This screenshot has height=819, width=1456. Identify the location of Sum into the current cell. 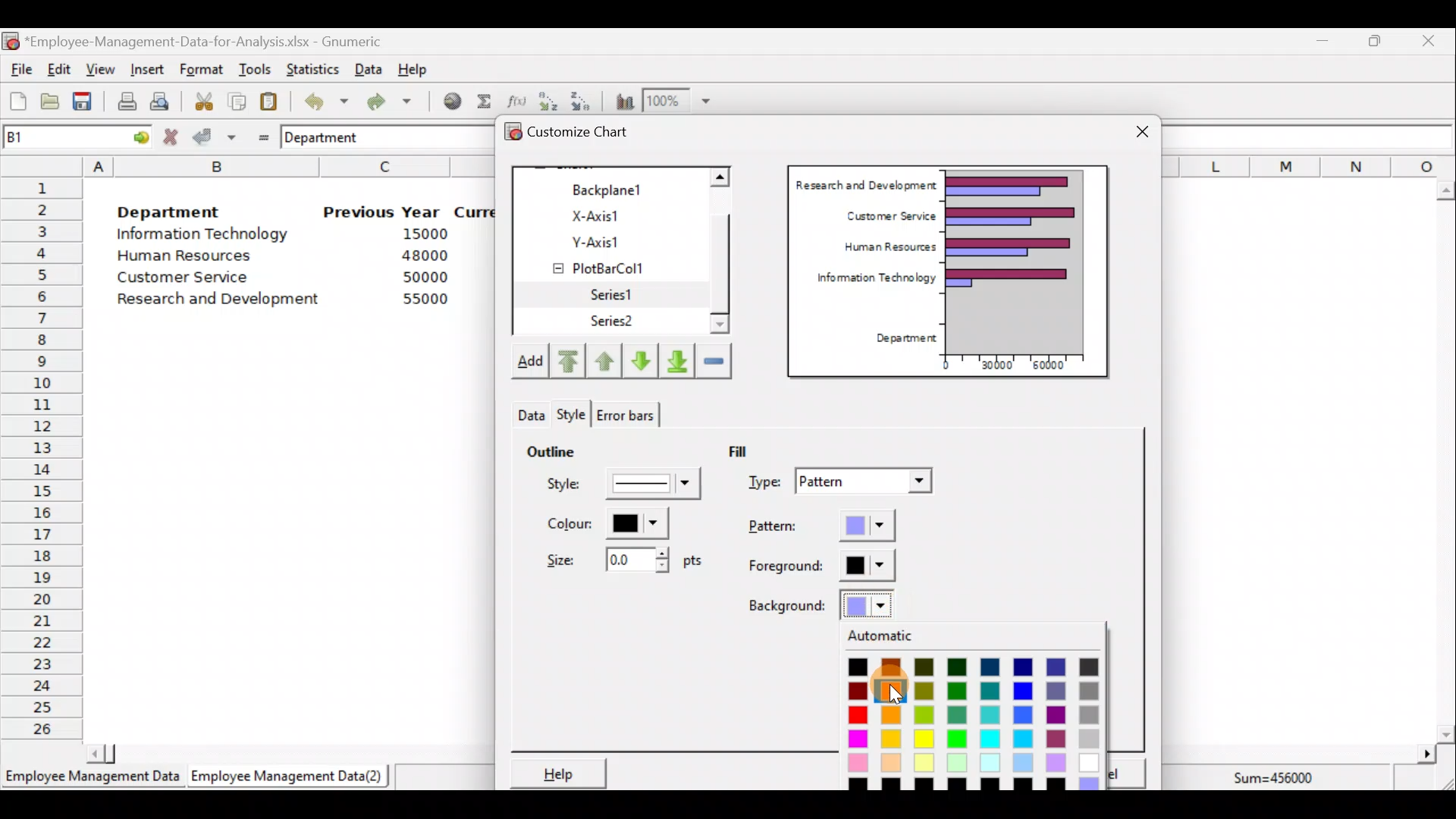
(482, 101).